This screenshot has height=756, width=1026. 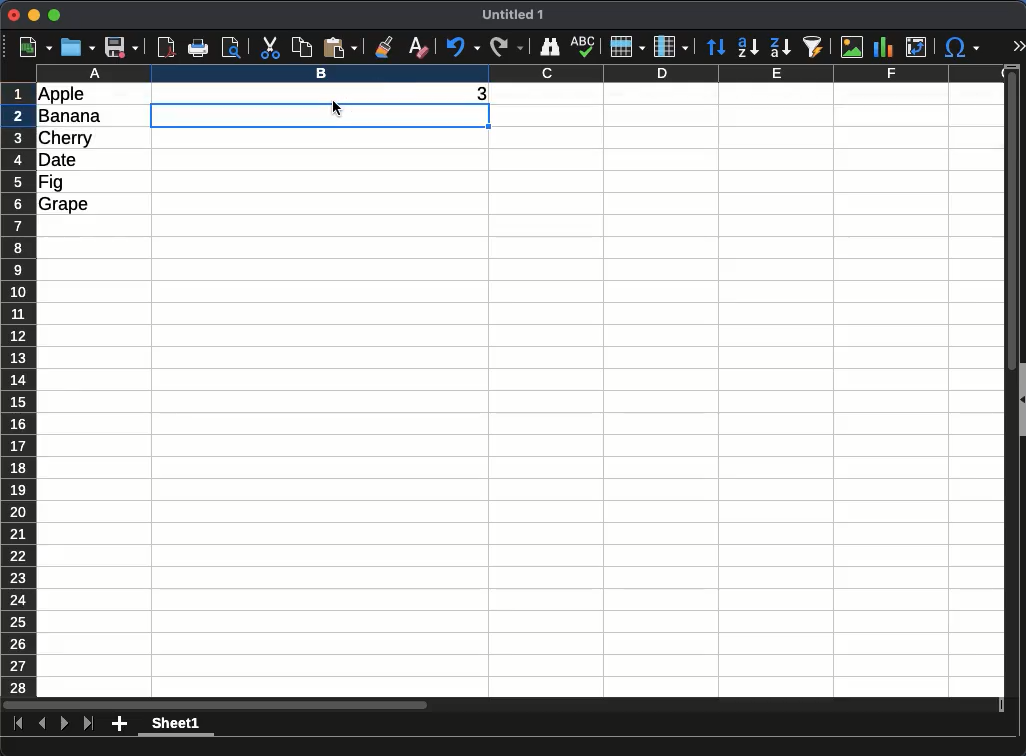 I want to click on grape, so click(x=64, y=205).